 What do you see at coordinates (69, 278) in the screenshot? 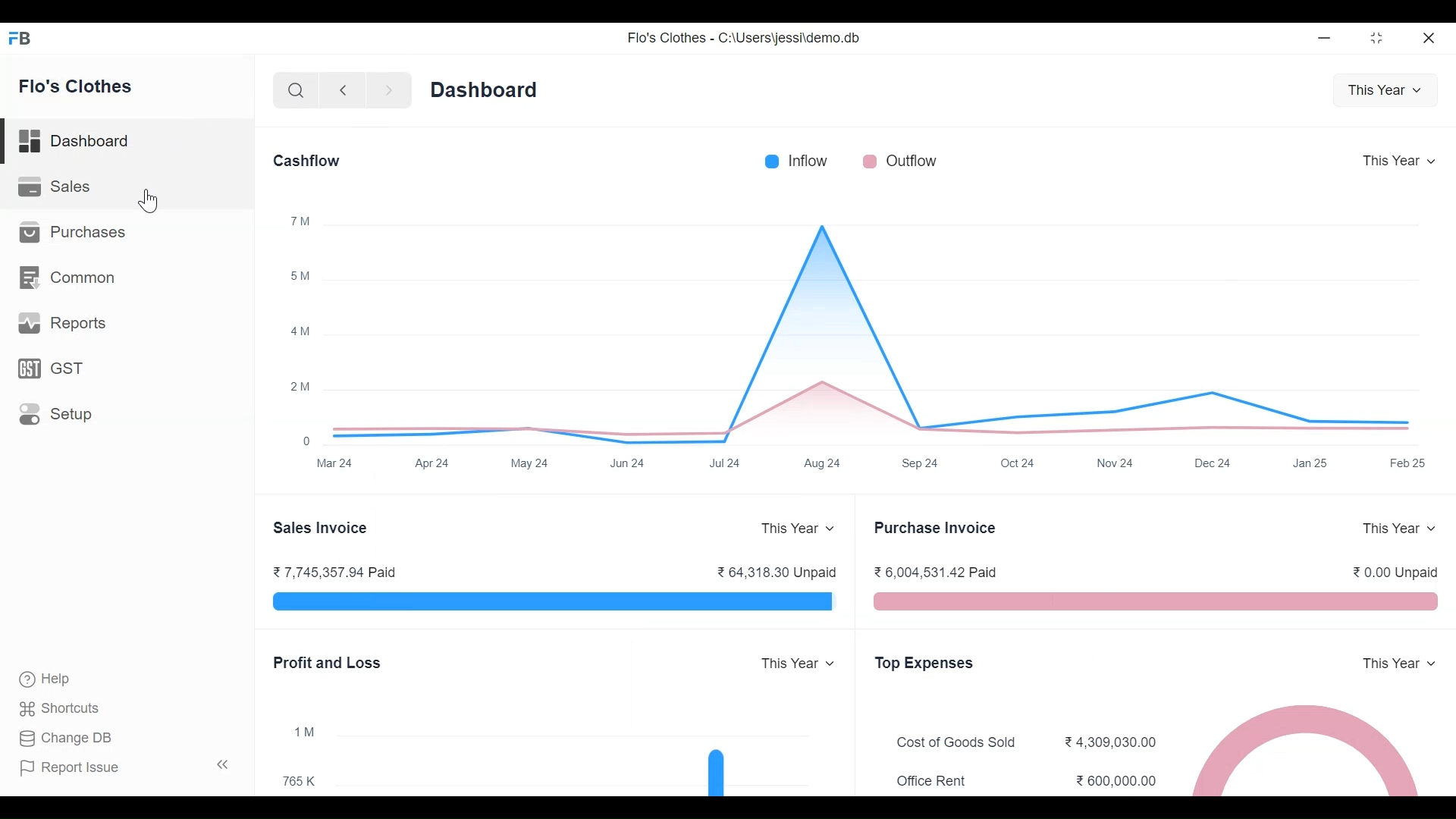
I see `Common` at bounding box center [69, 278].